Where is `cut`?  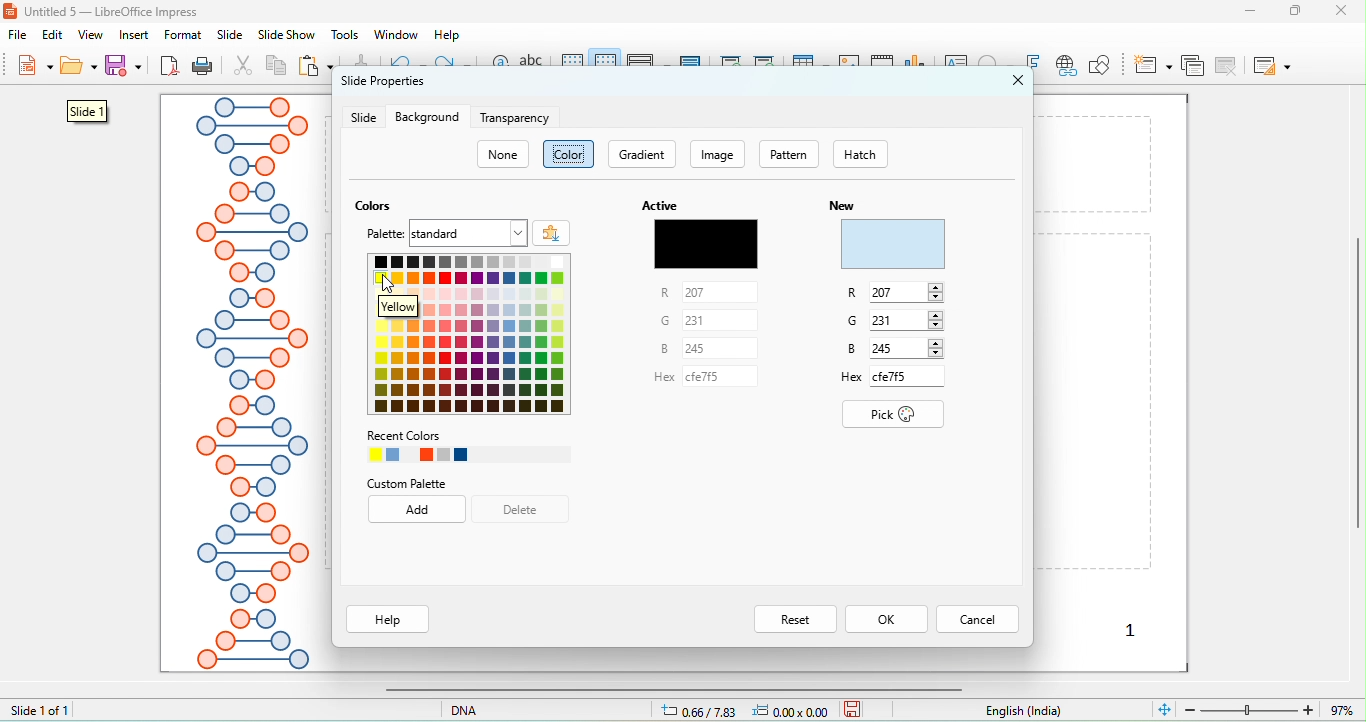 cut is located at coordinates (244, 67).